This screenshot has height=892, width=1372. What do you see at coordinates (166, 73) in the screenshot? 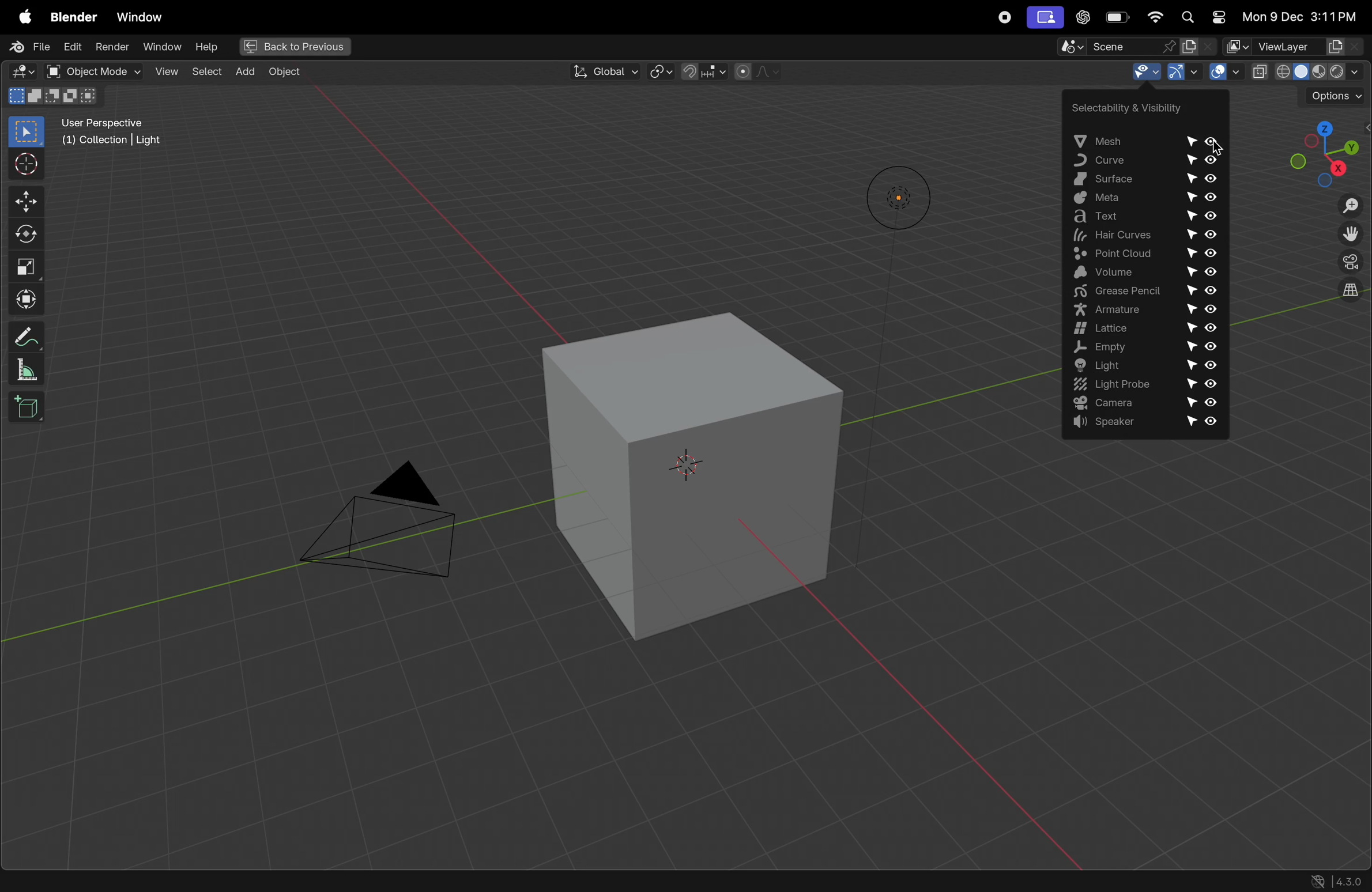
I see `view` at bounding box center [166, 73].